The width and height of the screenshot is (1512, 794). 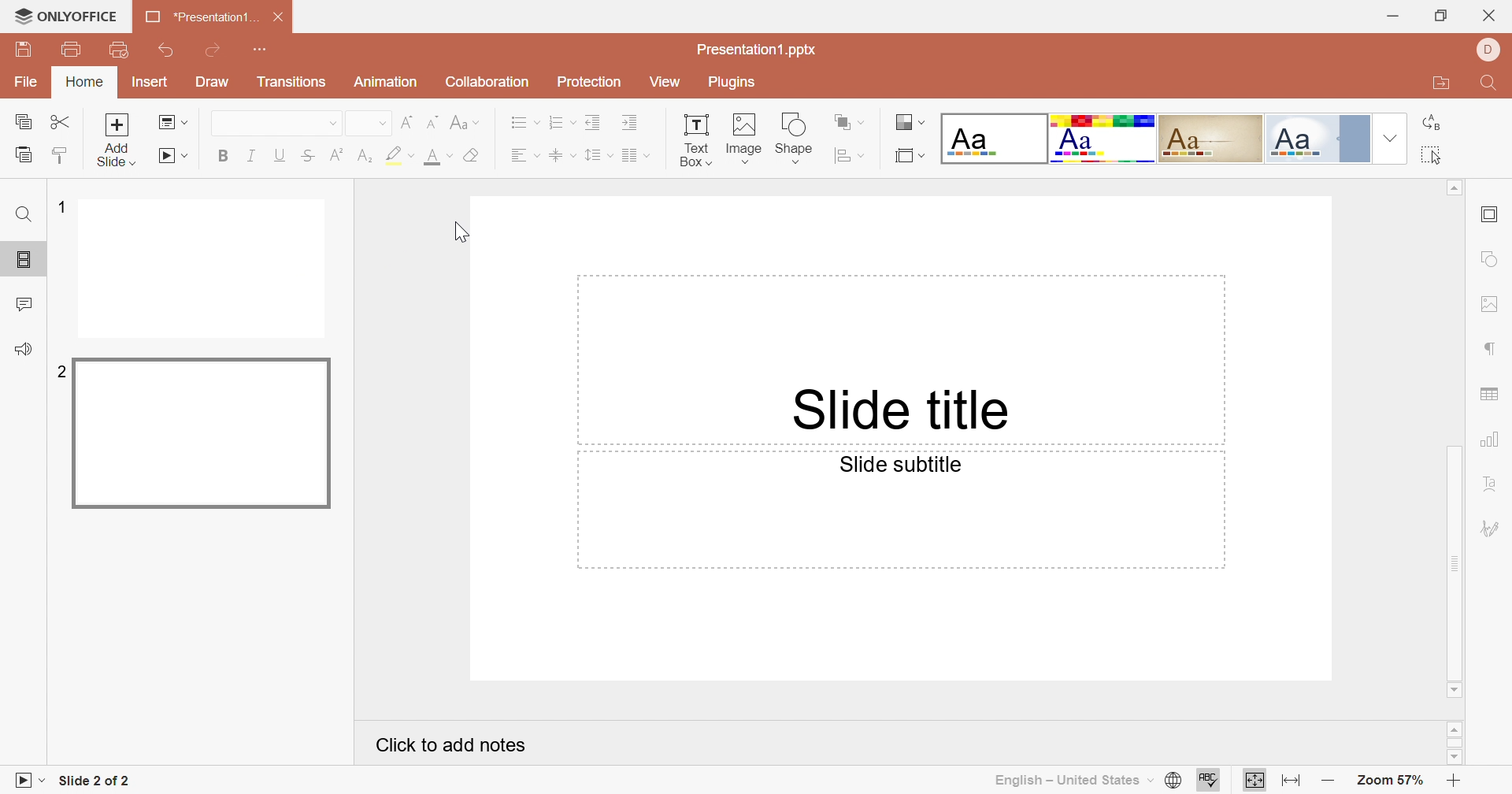 What do you see at coordinates (1490, 440) in the screenshot?
I see `chart settings` at bounding box center [1490, 440].